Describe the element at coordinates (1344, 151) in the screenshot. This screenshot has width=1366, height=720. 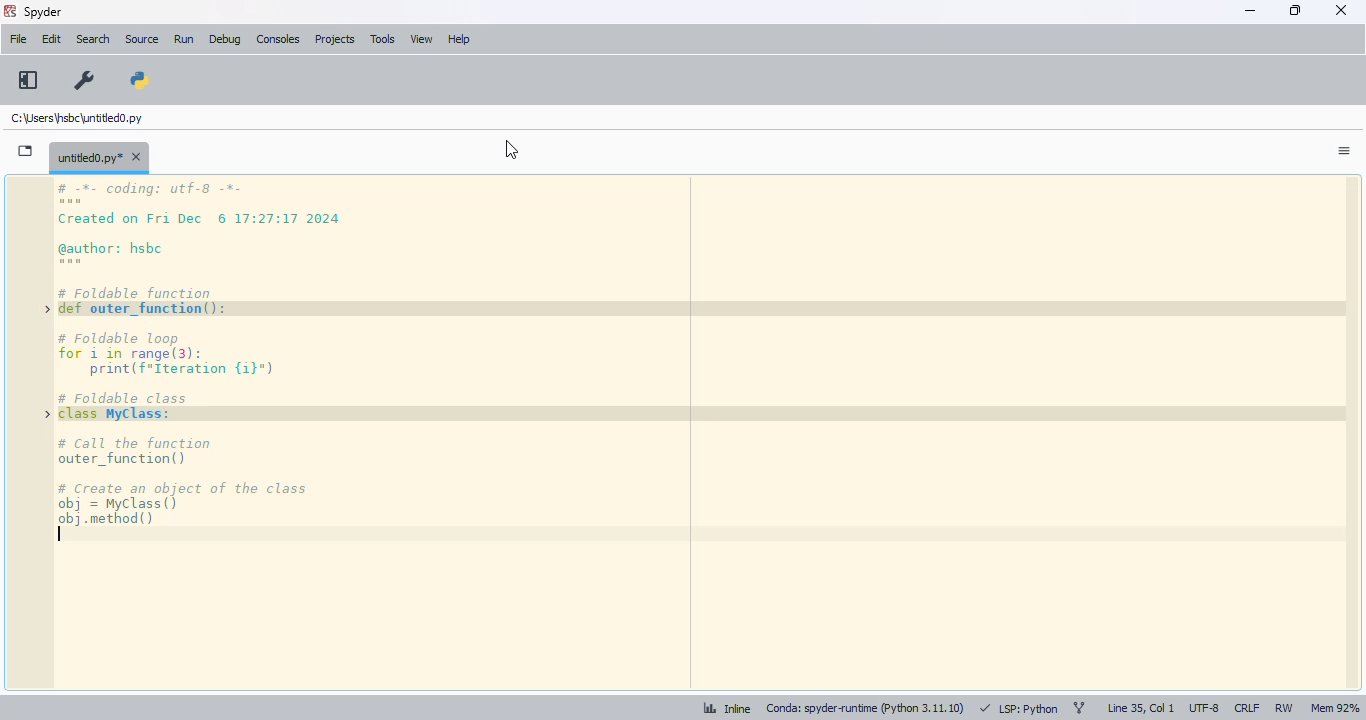
I see `options` at that location.